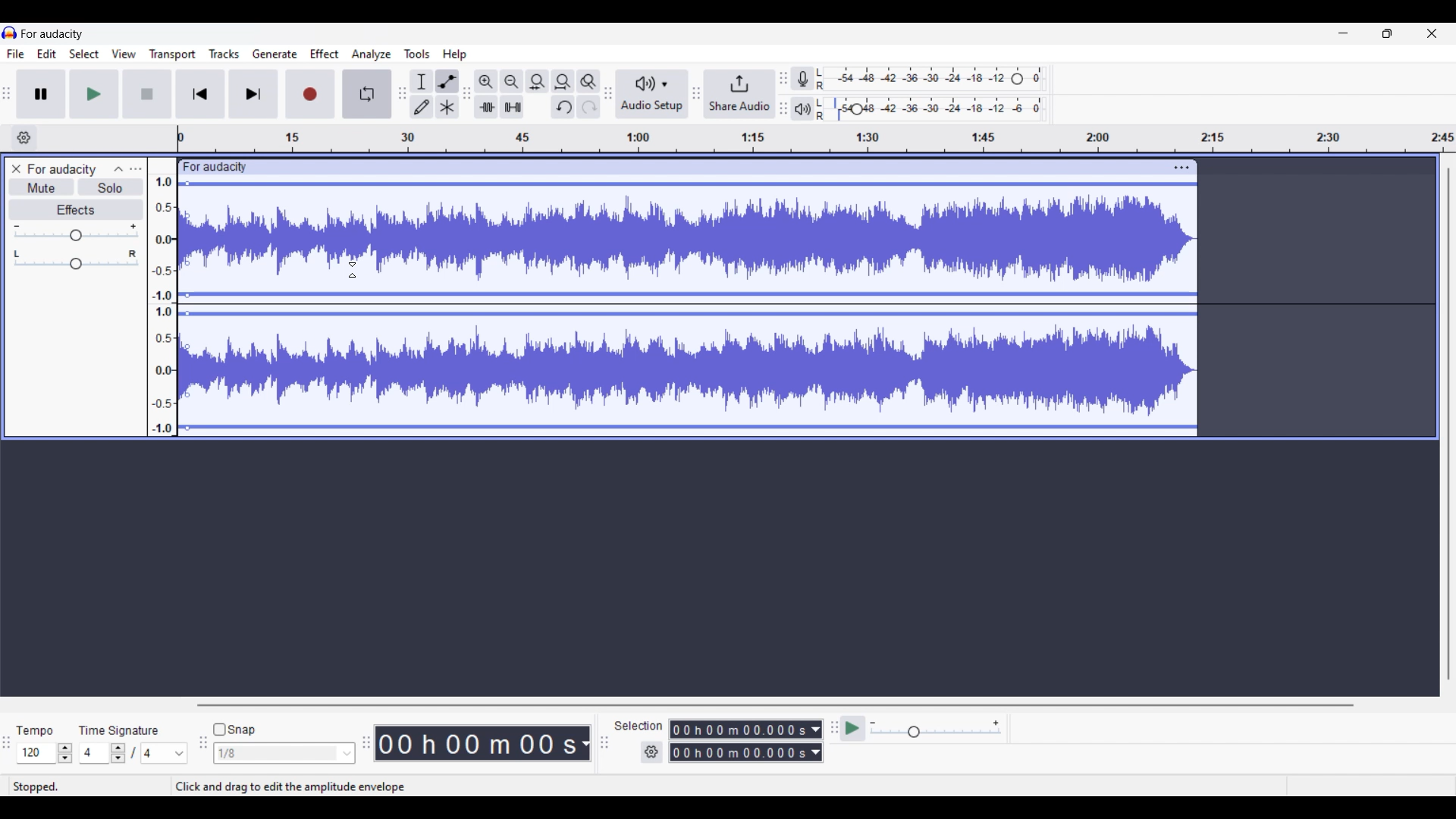 Image resolution: width=1456 pixels, height=819 pixels. I want to click on Solo, so click(110, 187).